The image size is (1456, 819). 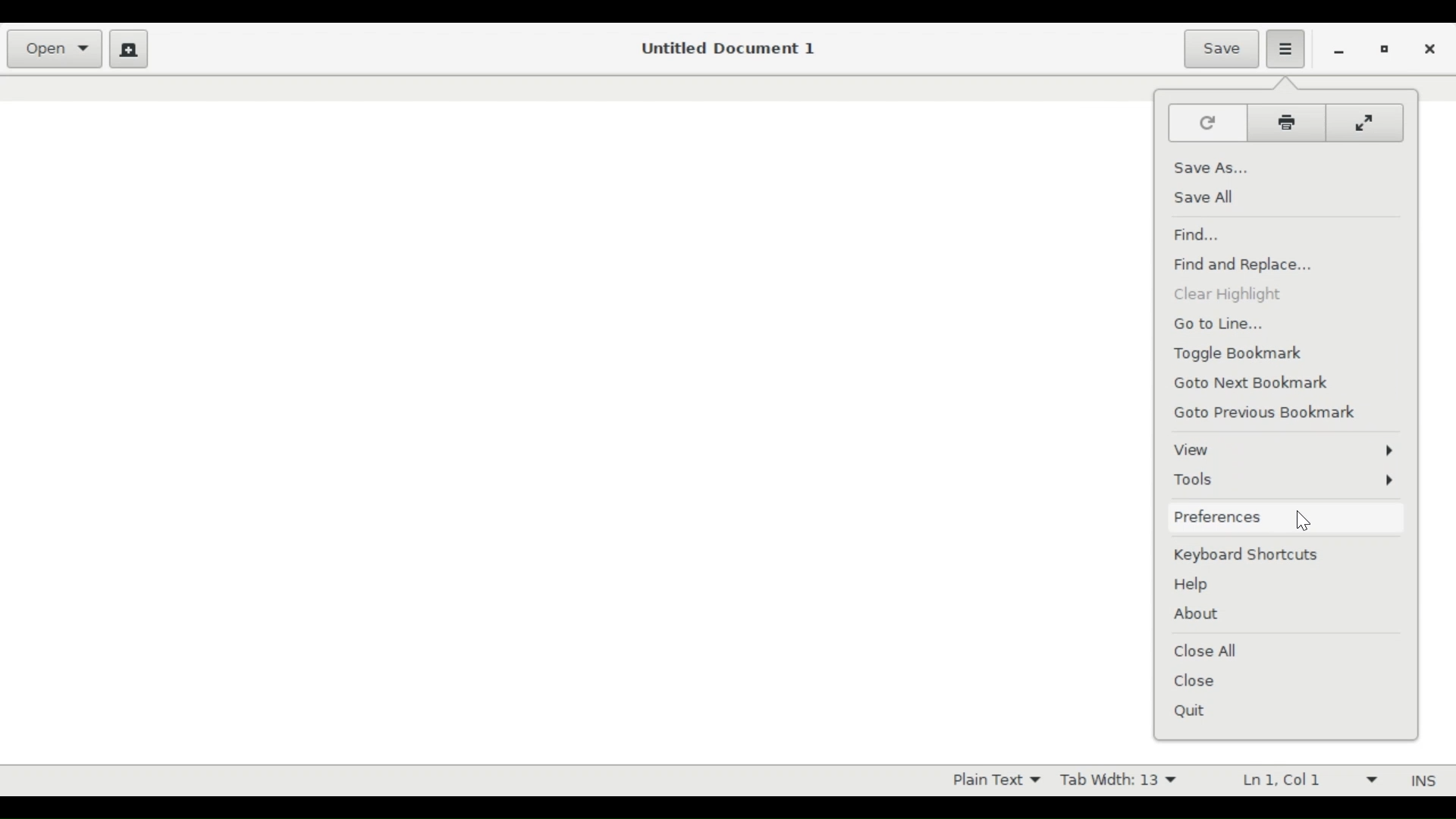 I want to click on Save All, so click(x=1203, y=197).